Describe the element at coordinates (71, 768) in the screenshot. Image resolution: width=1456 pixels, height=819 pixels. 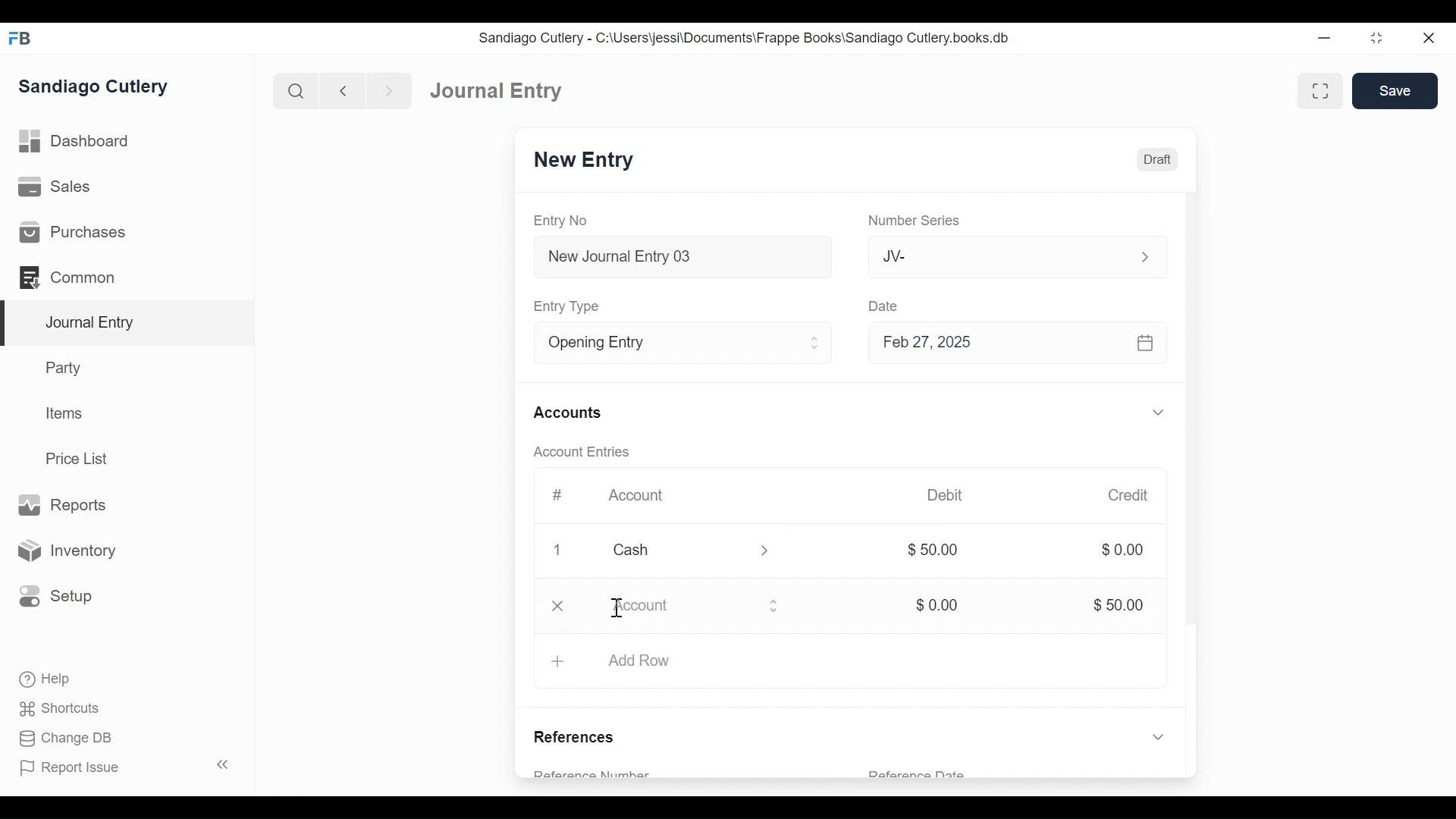
I see `Report Issue` at that location.